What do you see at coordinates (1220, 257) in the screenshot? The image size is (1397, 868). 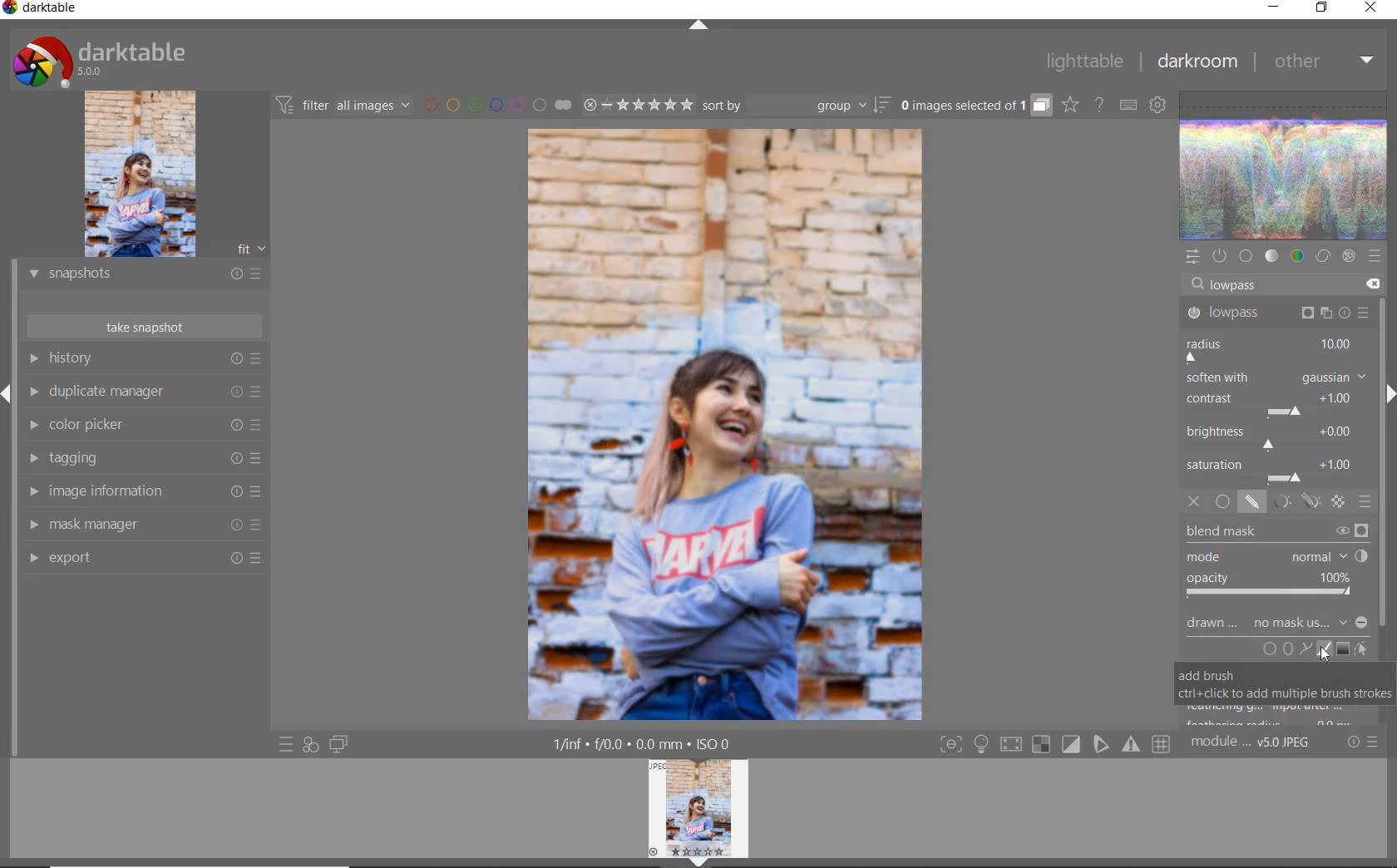 I see `show only active modules` at bounding box center [1220, 257].